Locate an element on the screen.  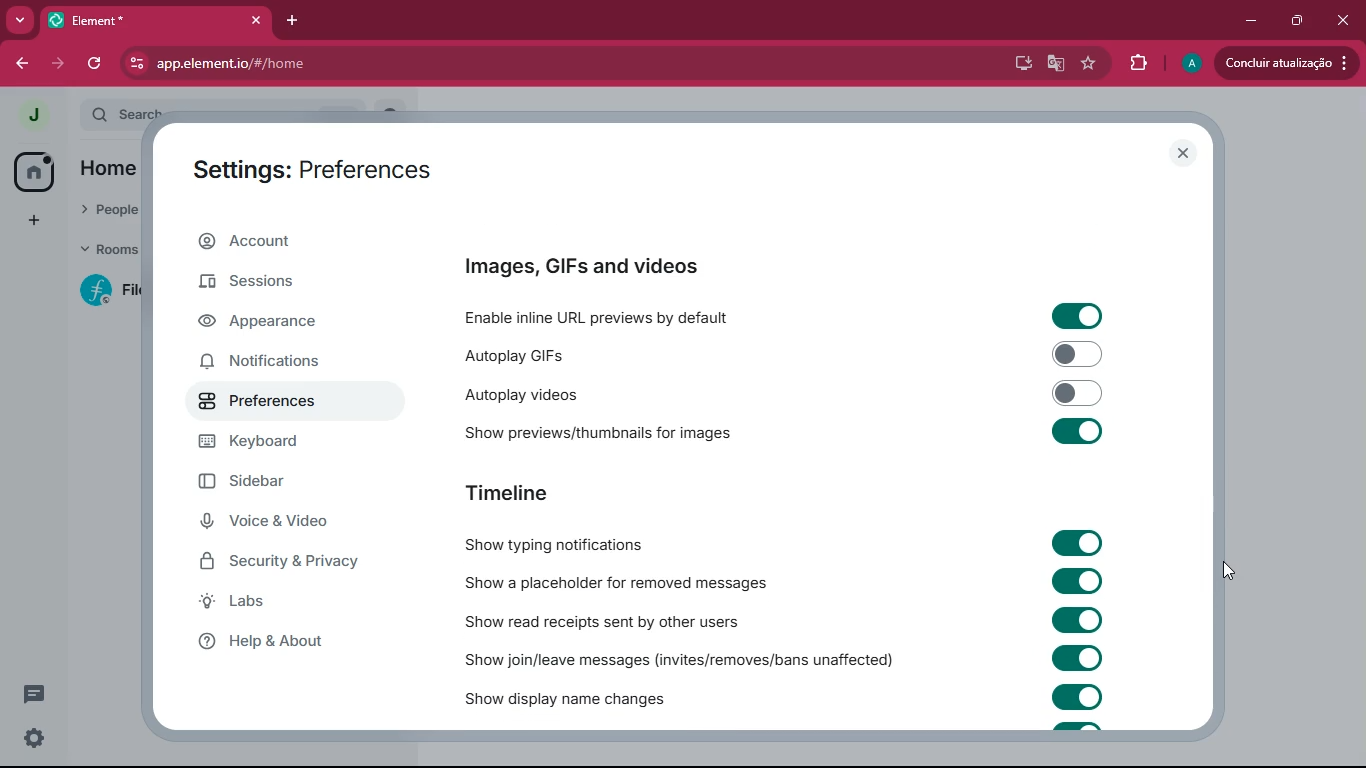
add is located at coordinates (34, 223).